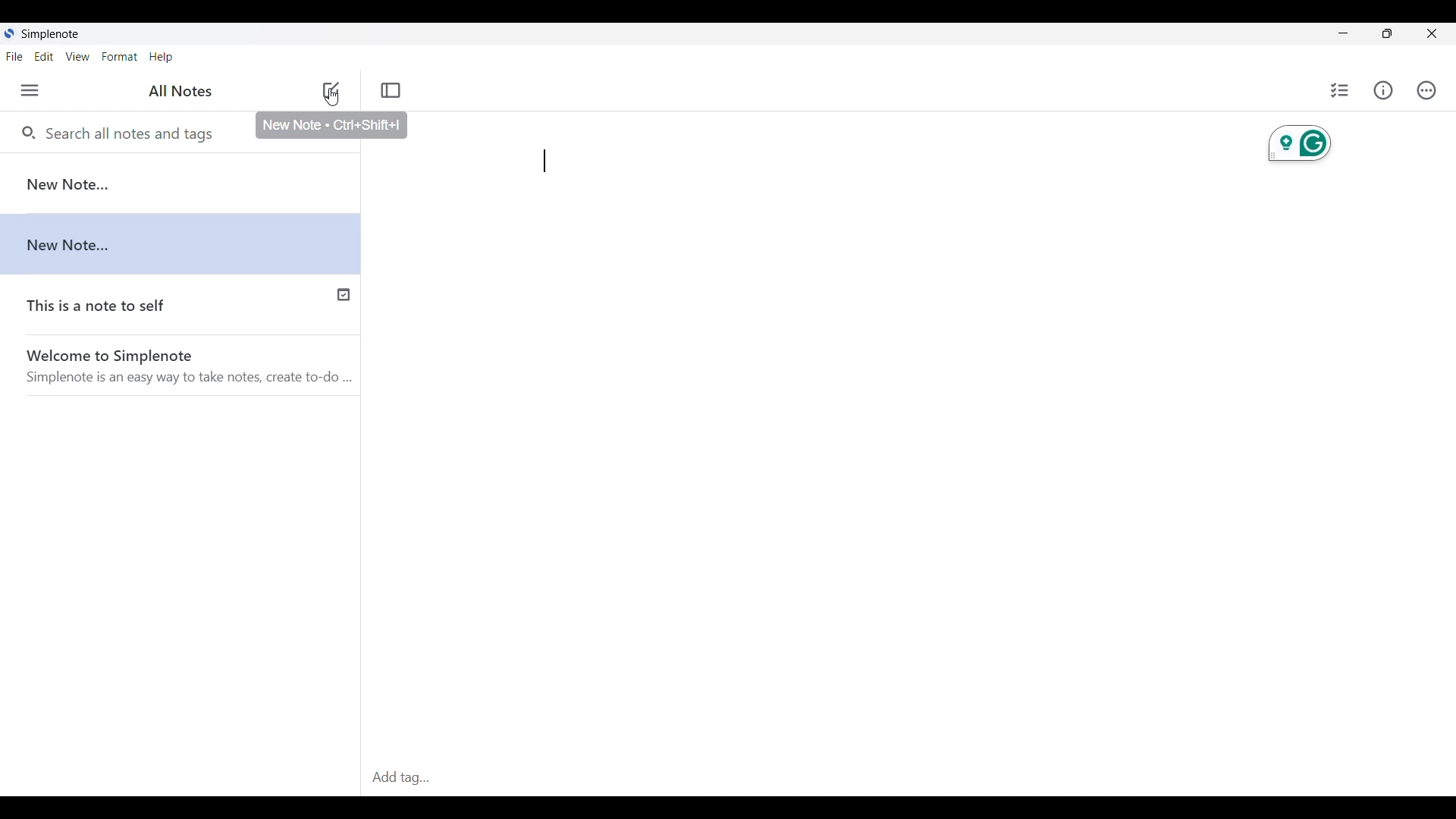  I want to click on Insert checklist, so click(1340, 89).